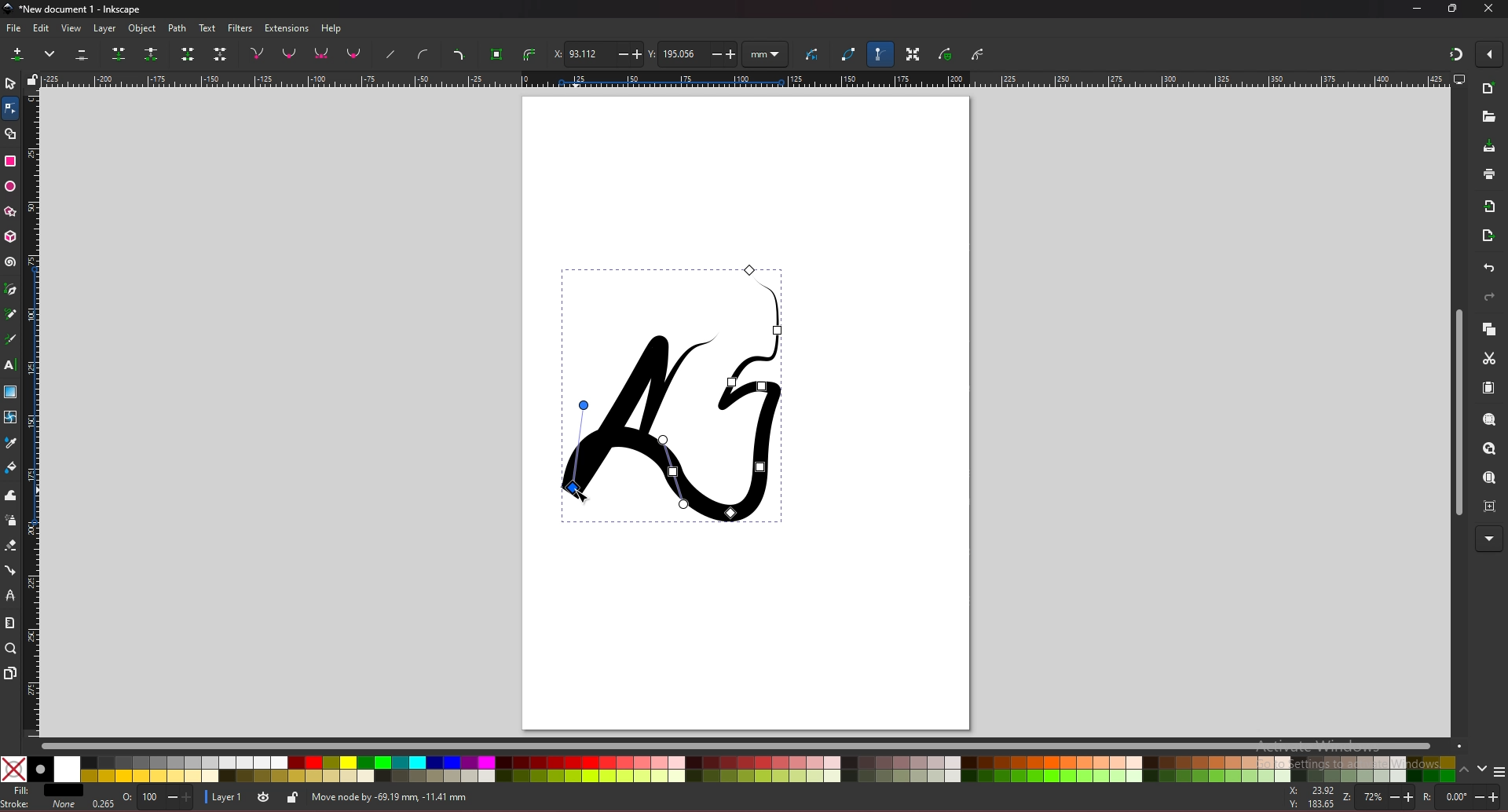 The width and height of the screenshot is (1508, 812). Describe the element at coordinates (879, 53) in the screenshot. I see `bezier handle` at that location.